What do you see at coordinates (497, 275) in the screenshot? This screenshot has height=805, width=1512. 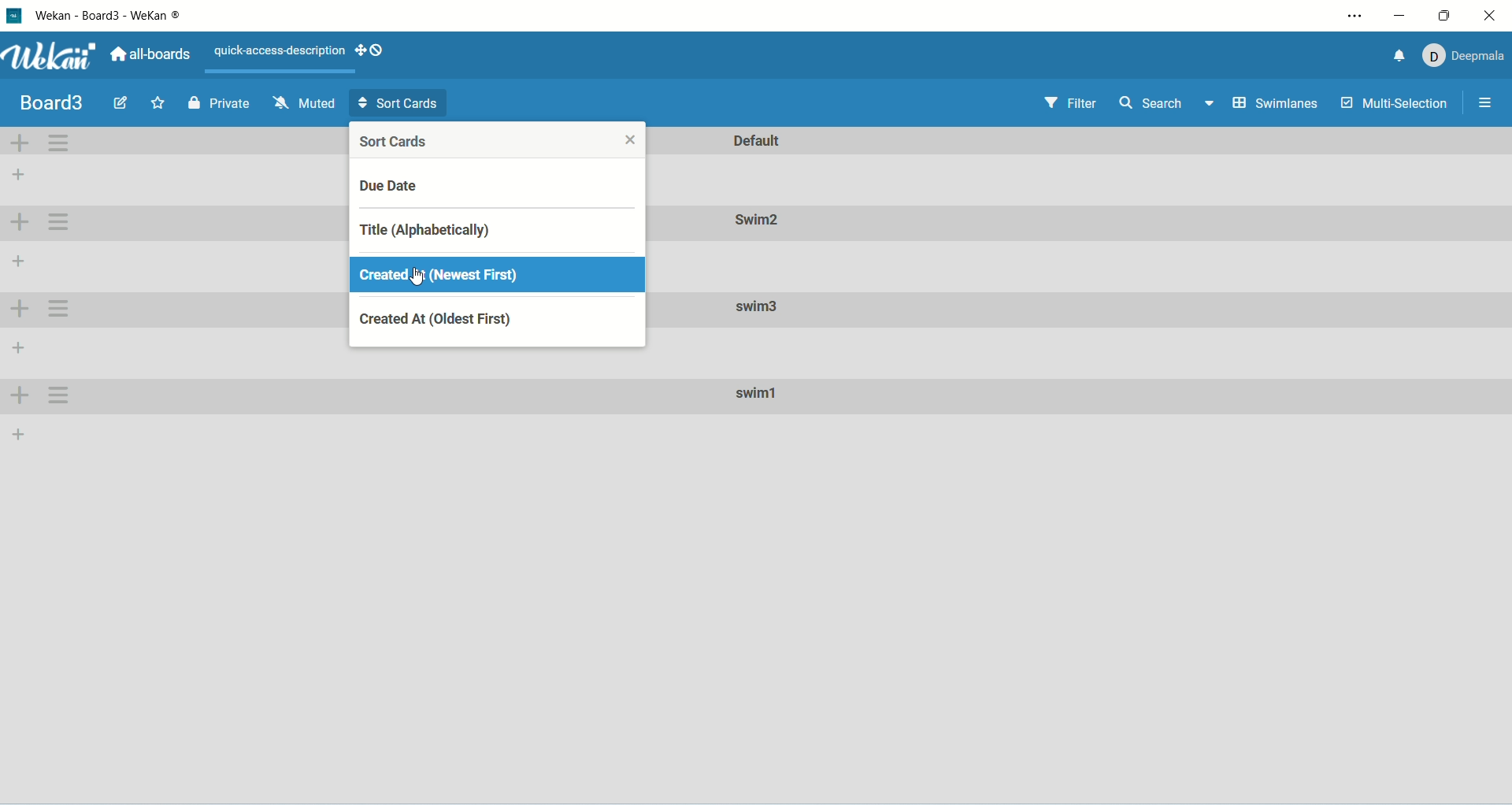 I see `created at (newest first)` at bounding box center [497, 275].